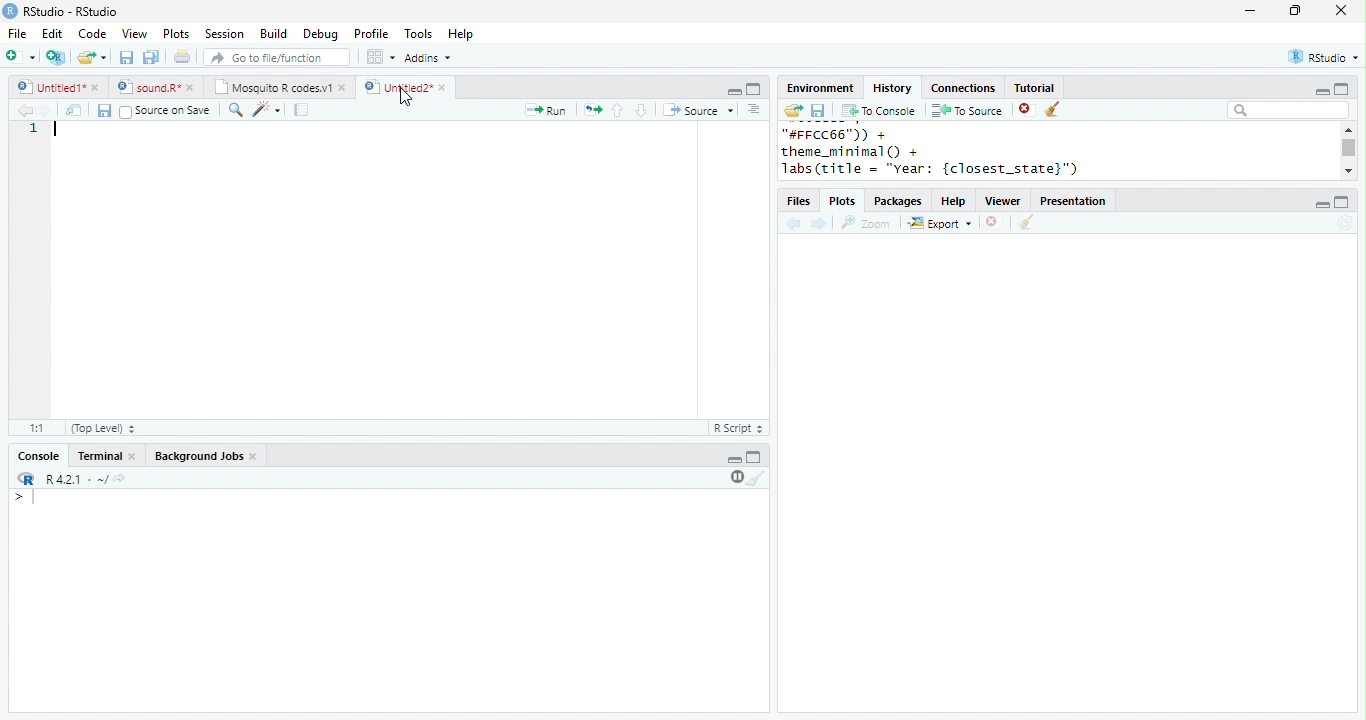  Describe the element at coordinates (20, 57) in the screenshot. I see `new file` at that location.